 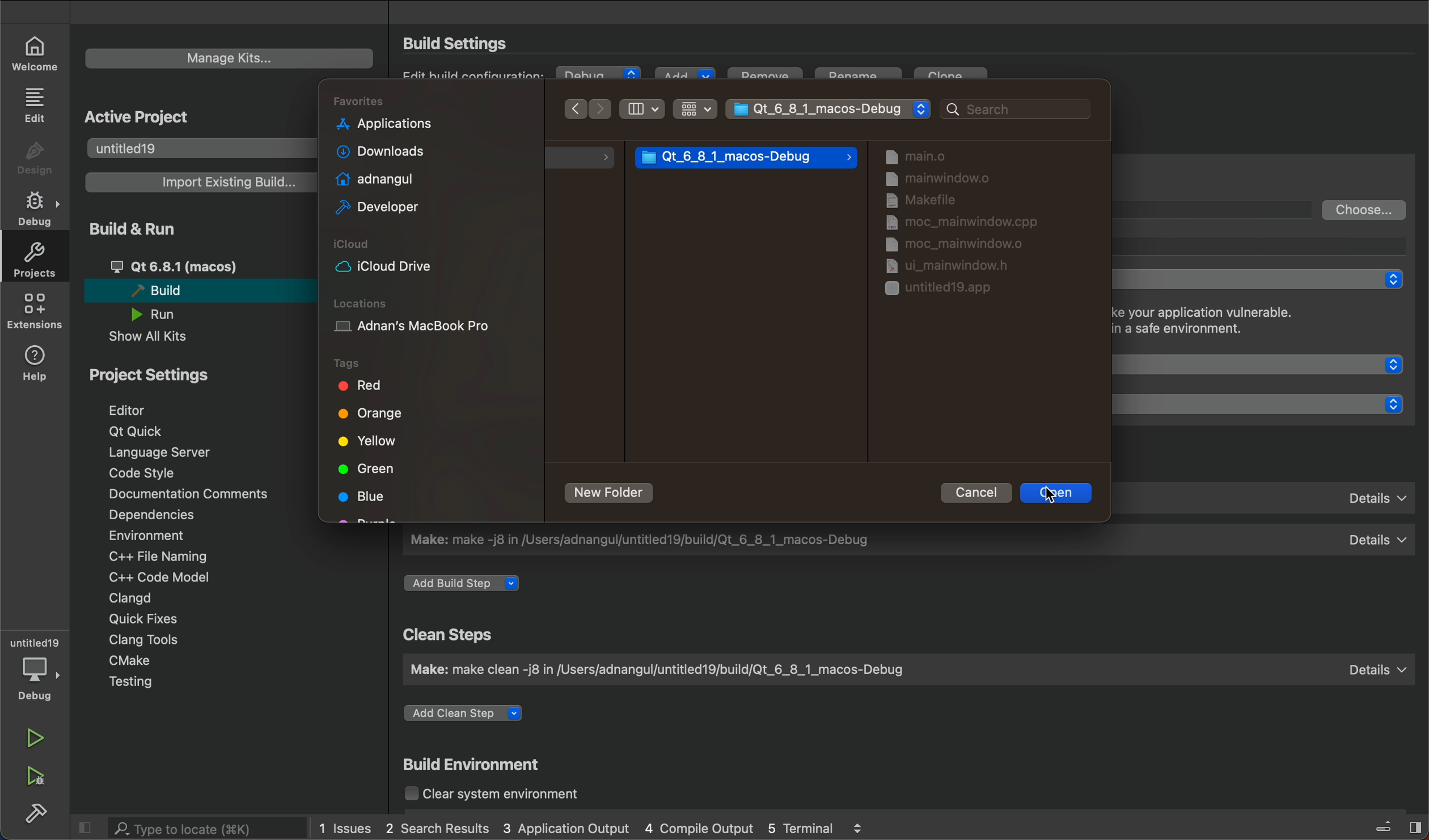 What do you see at coordinates (156, 556) in the screenshot?
I see `c++ file naming` at bounding box center [156, 556].